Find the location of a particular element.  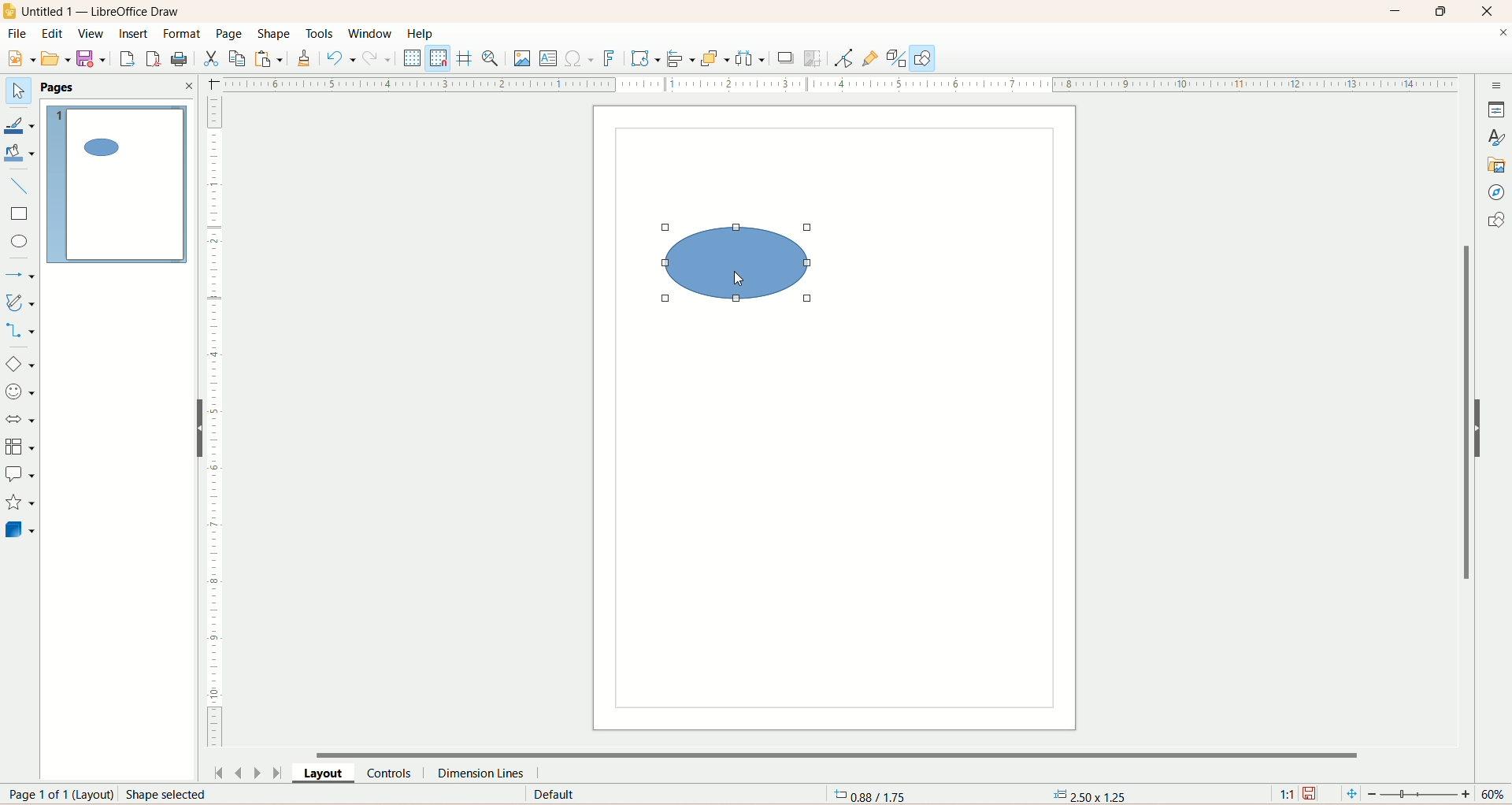

cursor is located at coordinates (736, 274).